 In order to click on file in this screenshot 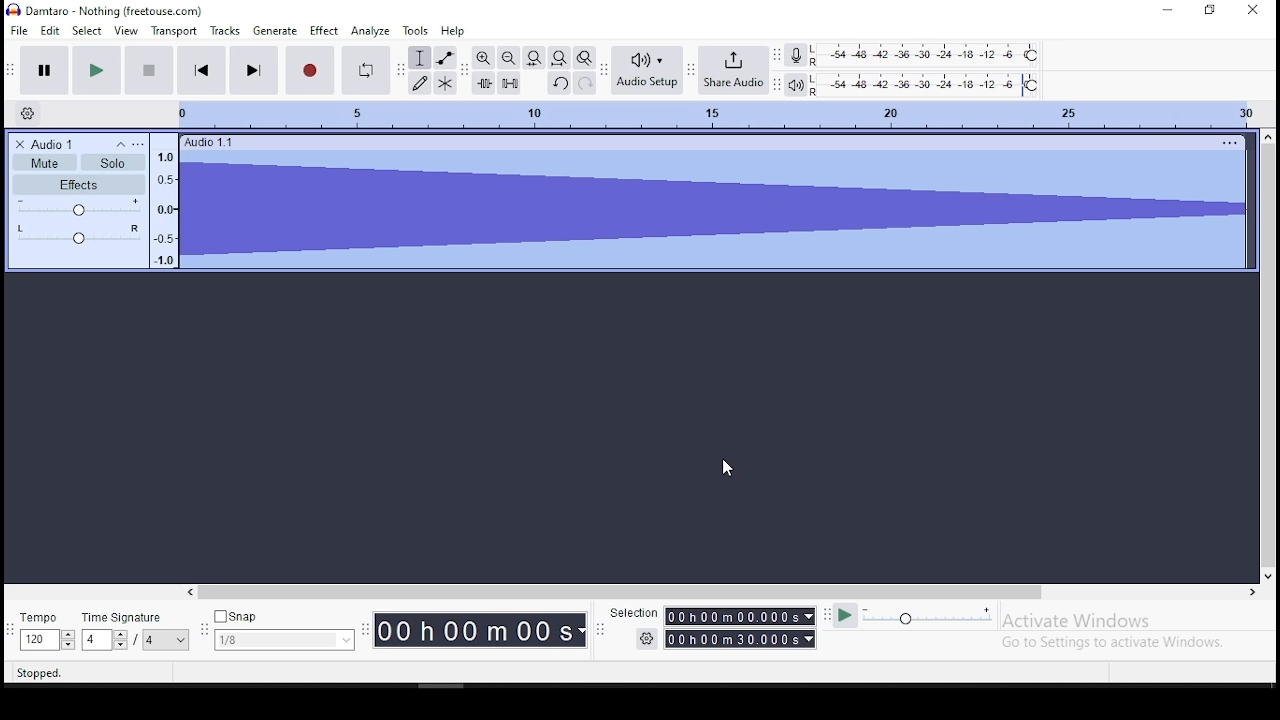, I will do `click(19, 31)`.